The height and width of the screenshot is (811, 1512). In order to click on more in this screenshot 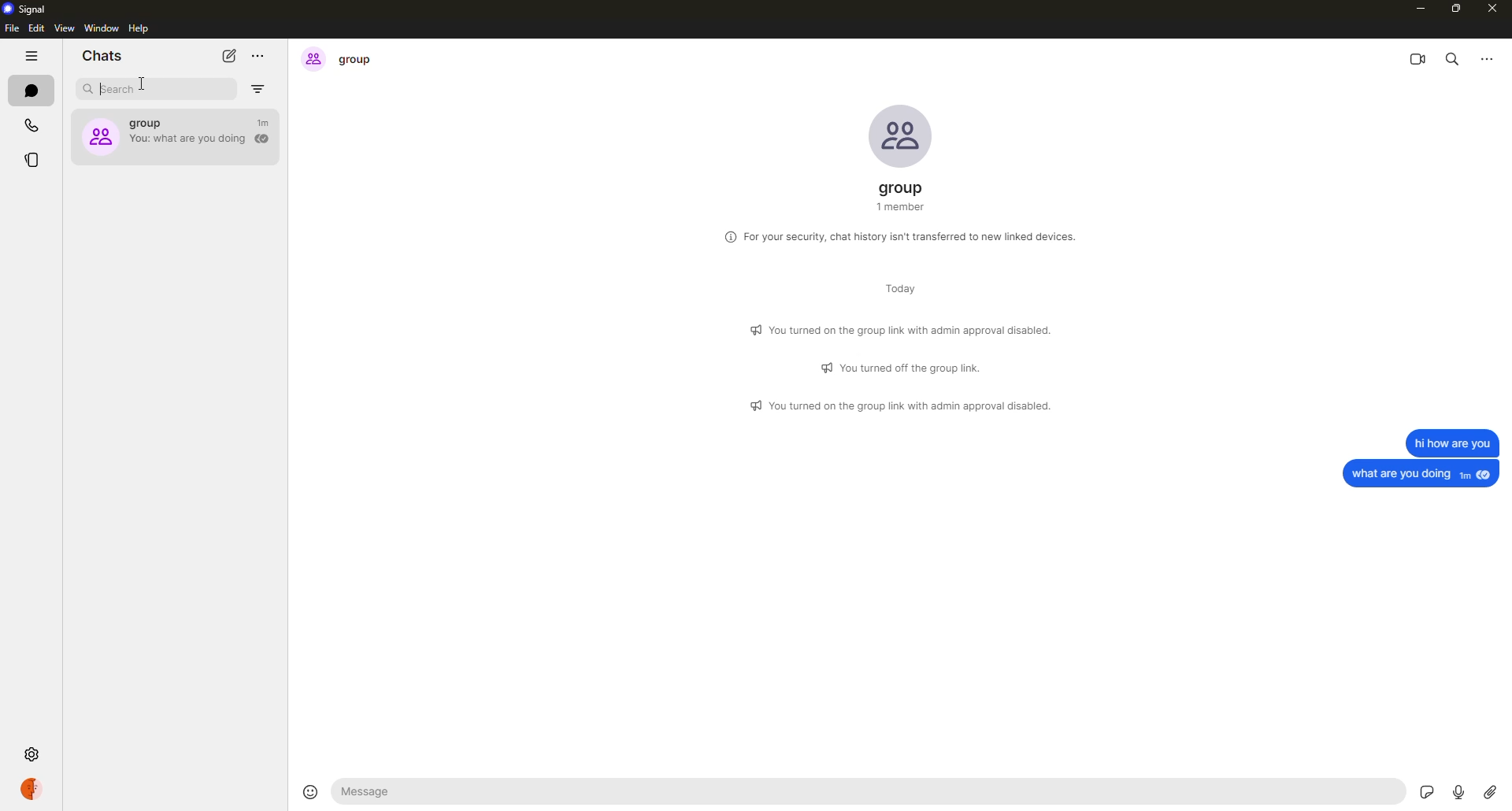, I will do `click(260, 54)`.